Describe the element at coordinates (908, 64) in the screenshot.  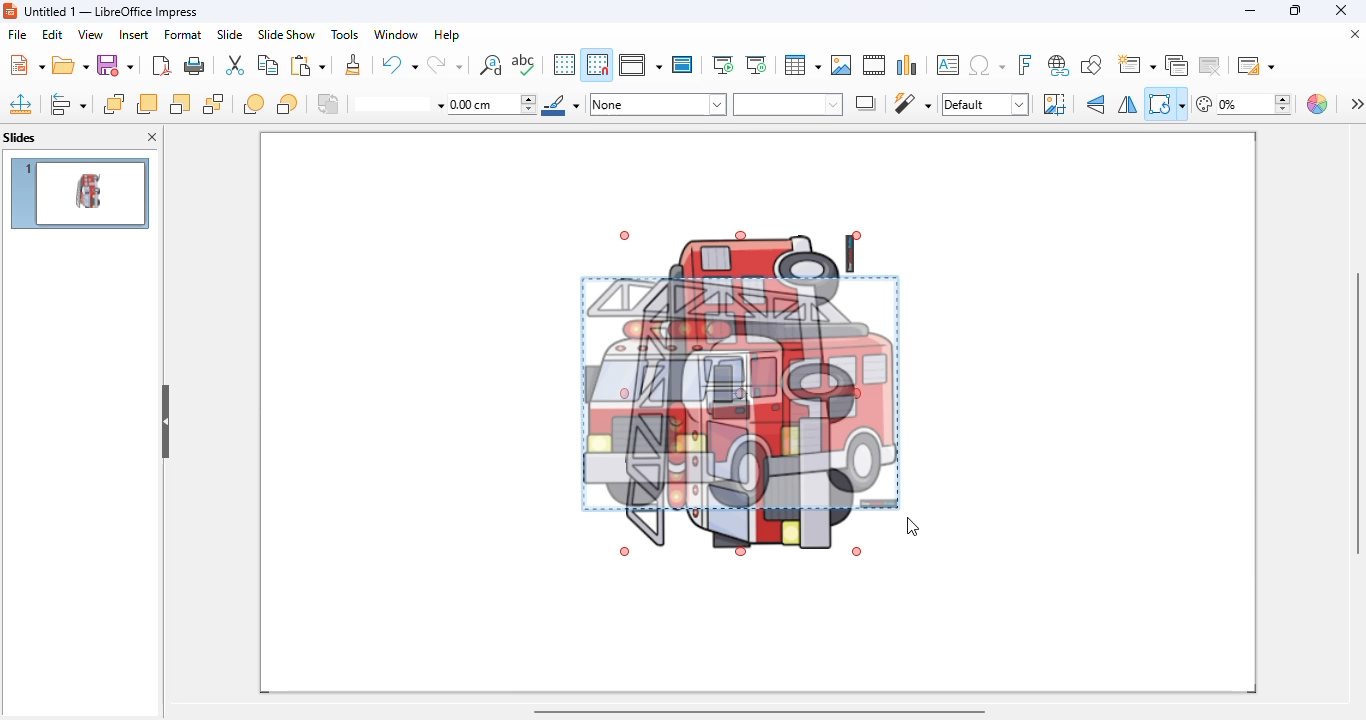
I see `insert chart` at that location.